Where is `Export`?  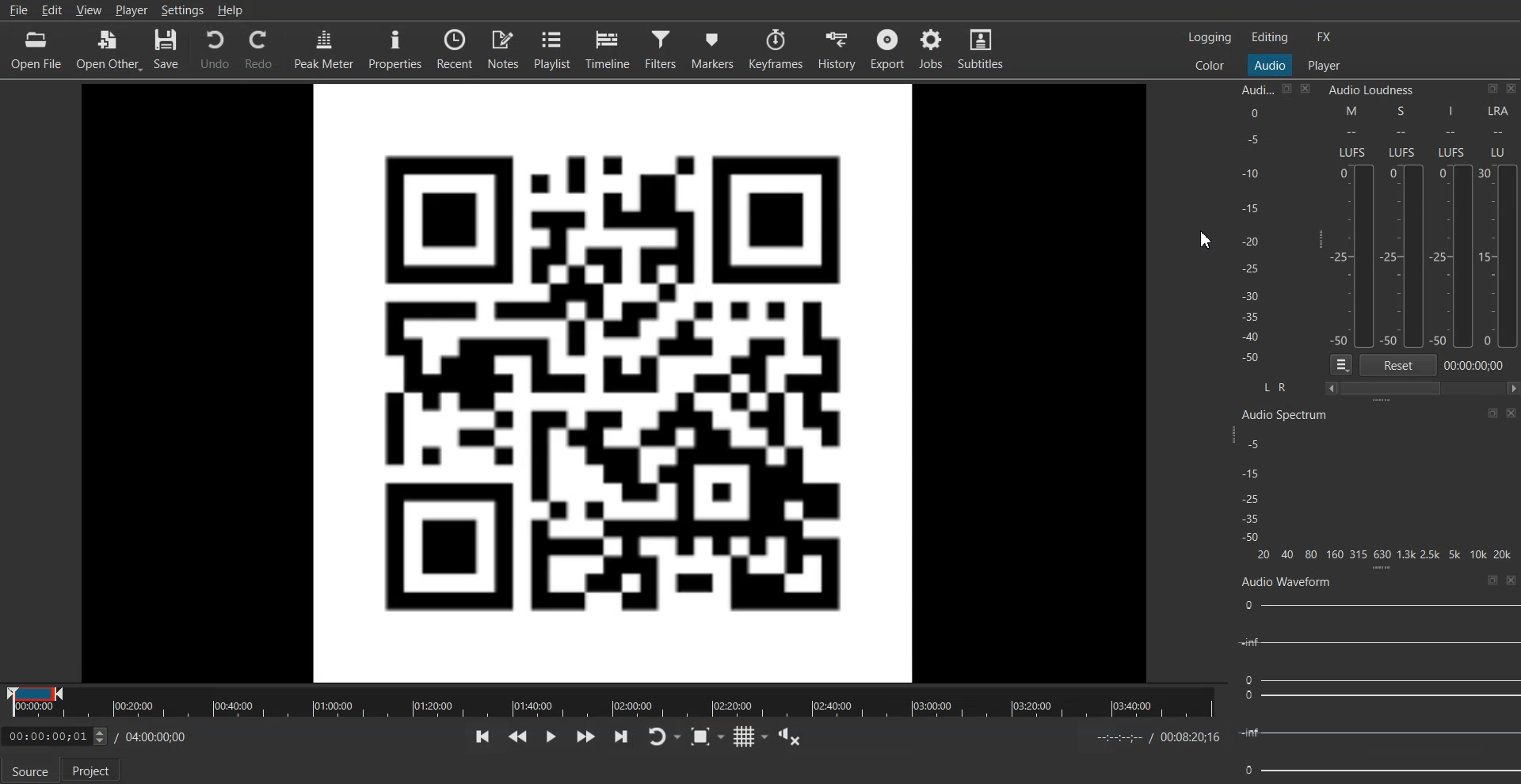 Export is located at coordinates (888, 49).